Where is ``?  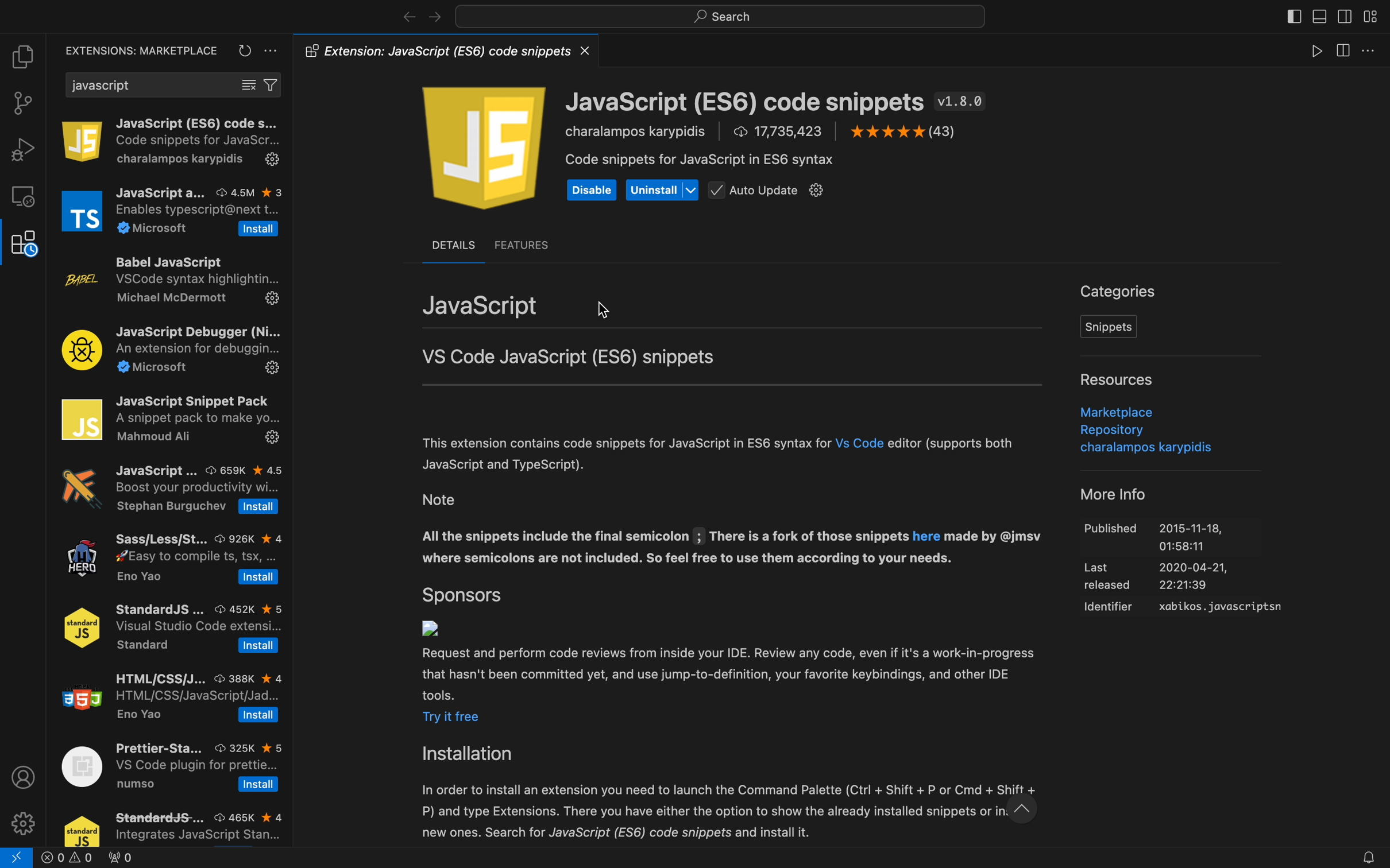
 is located at coordinates (732, 671).